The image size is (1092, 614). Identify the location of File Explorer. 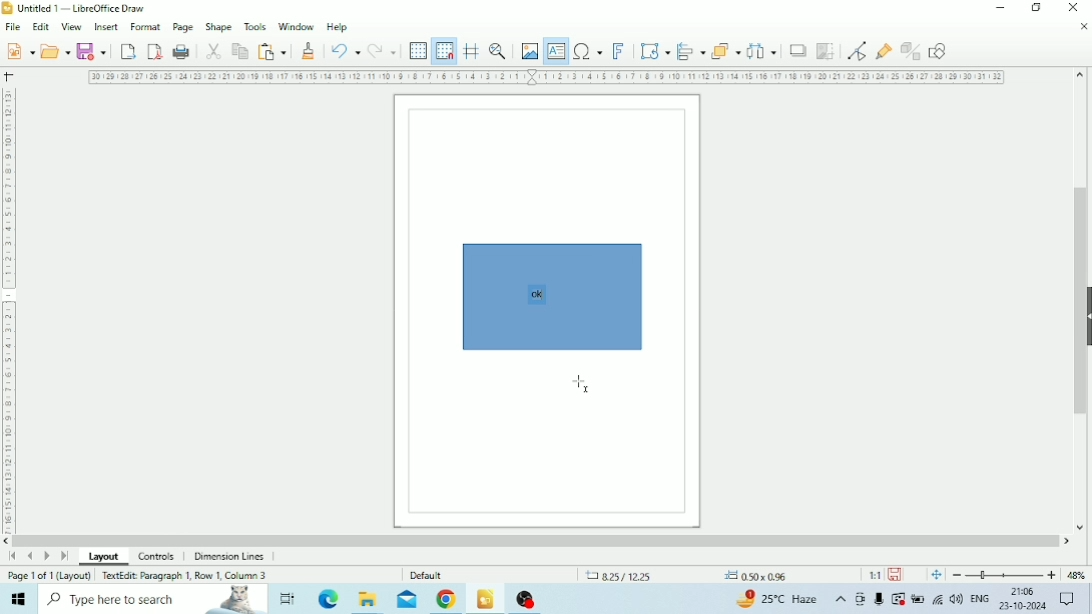
(367, 600).